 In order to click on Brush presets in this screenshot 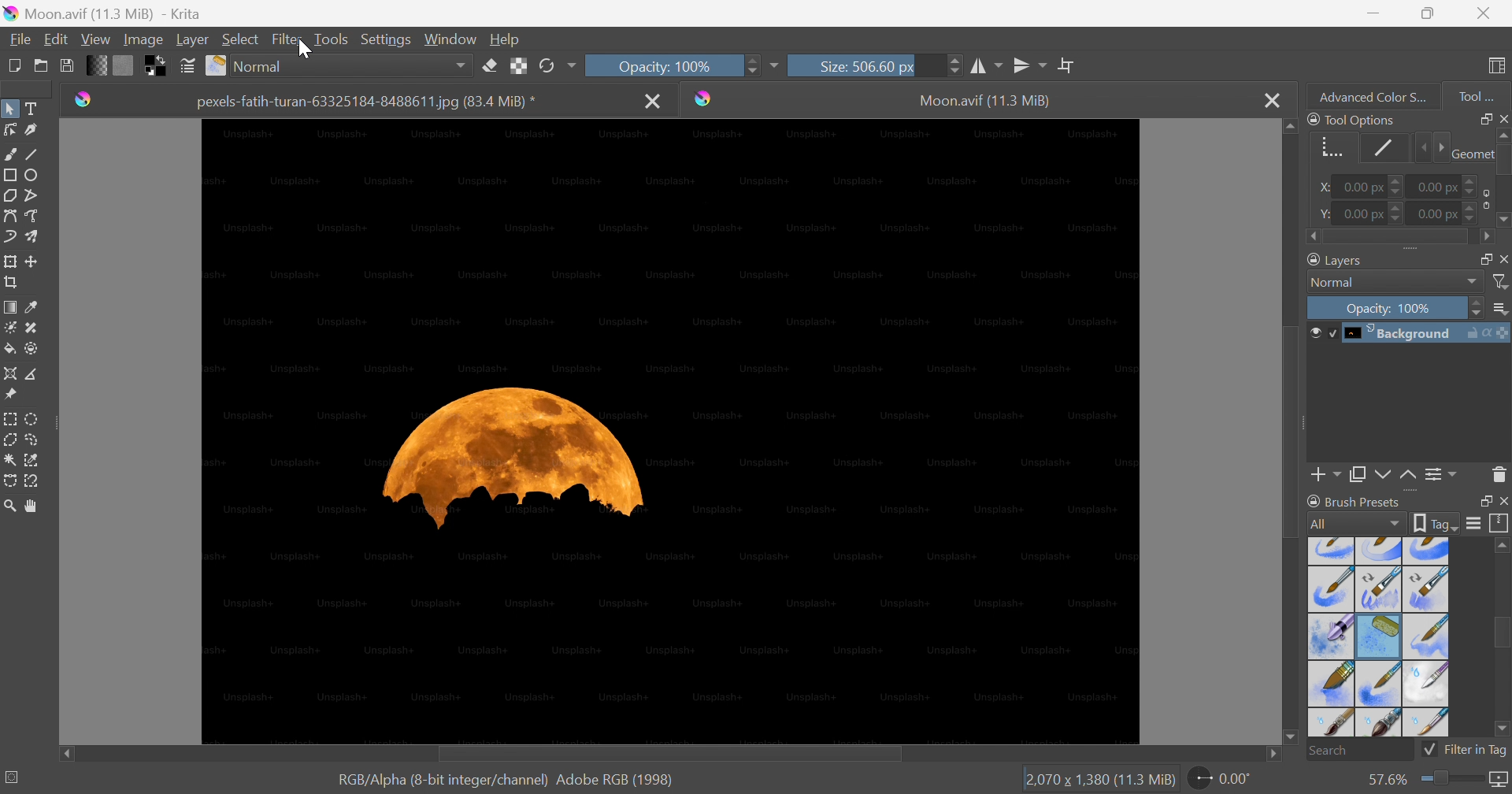, I will do `click(1357, 503)`.